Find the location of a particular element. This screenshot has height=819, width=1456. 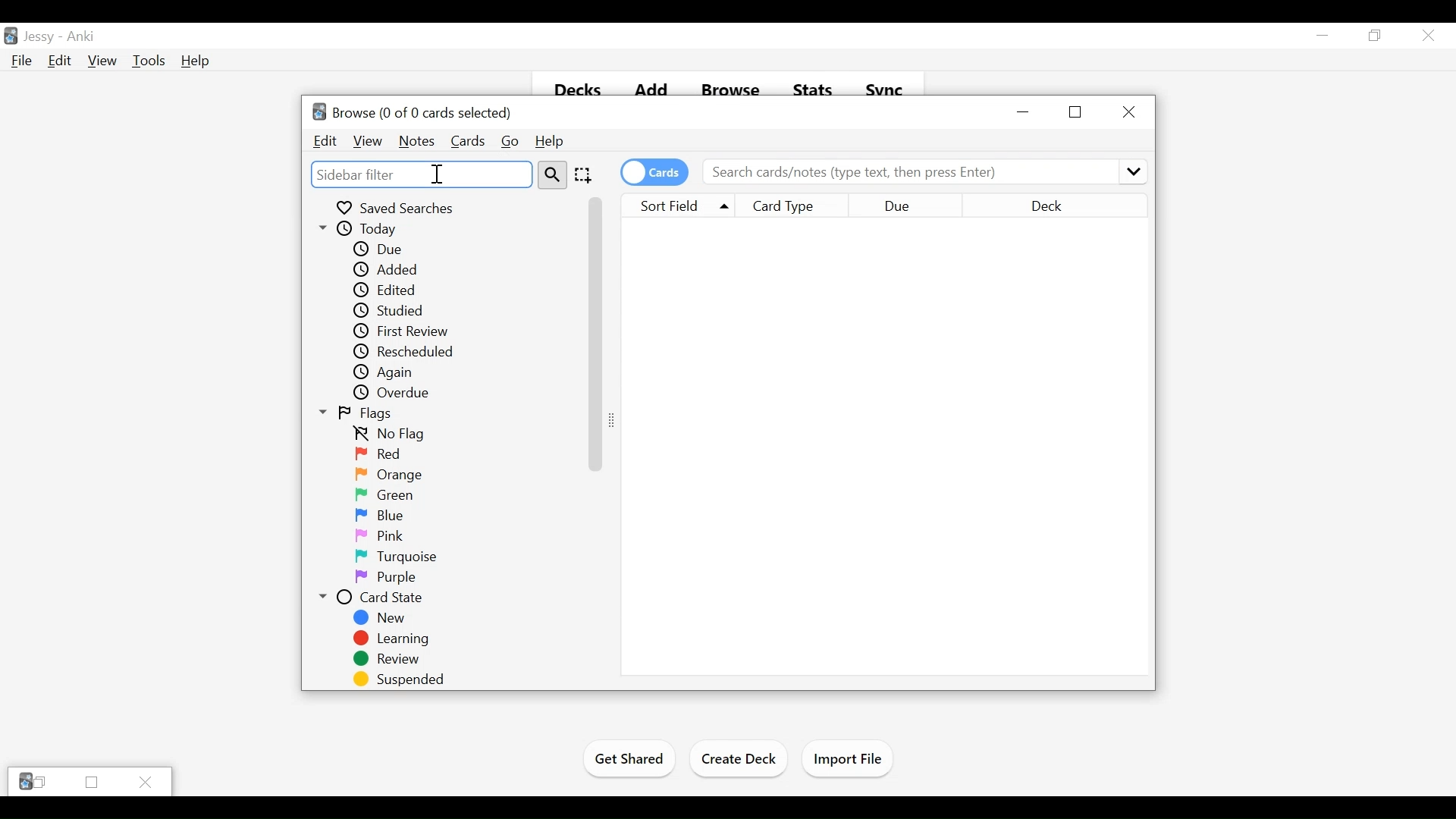

Rescheduled is located at coordinates (406, 352).